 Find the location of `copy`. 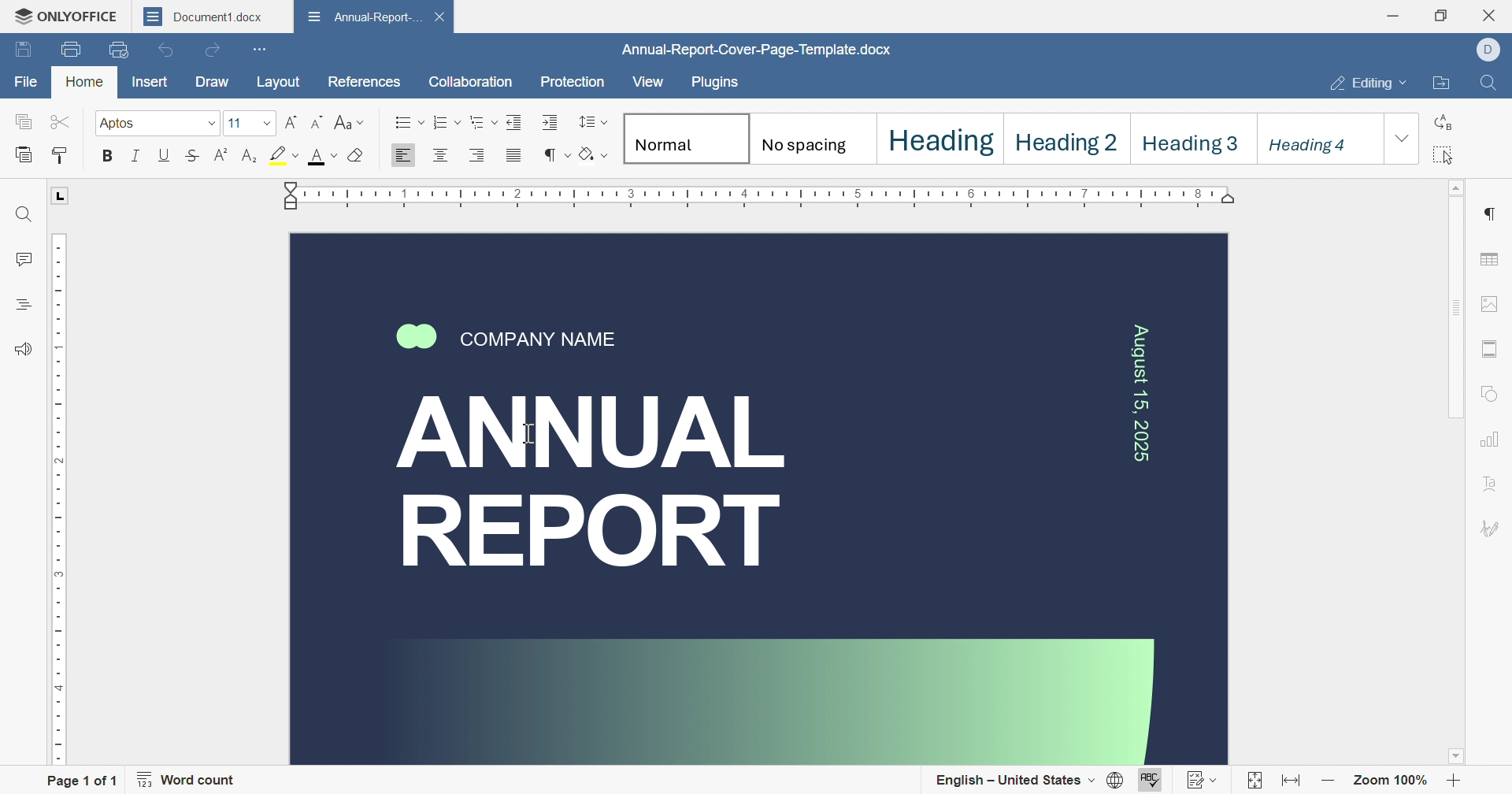

copy is located at coordinates (26, 124).